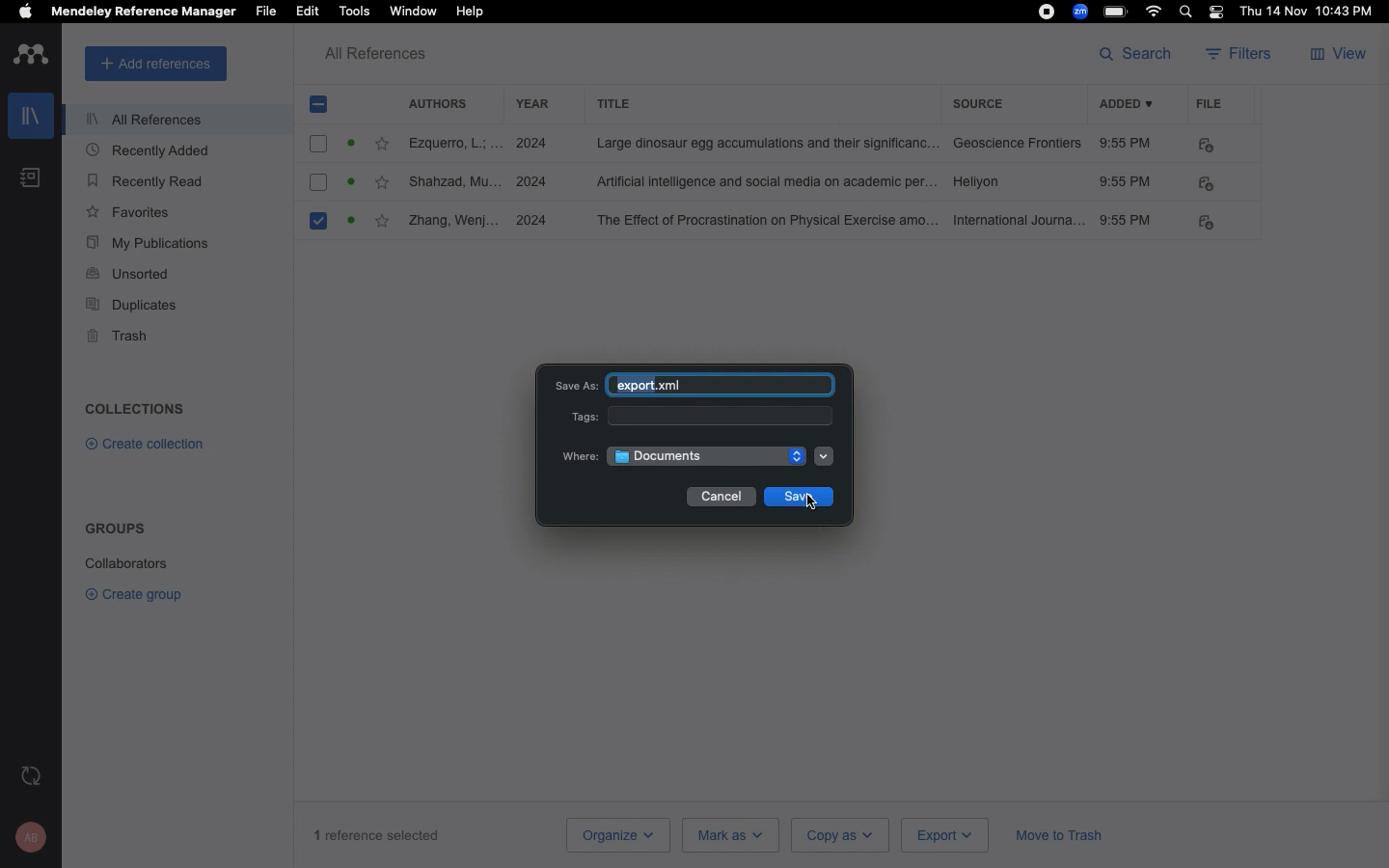  I want to click on Shahzad, so click(454, 183).